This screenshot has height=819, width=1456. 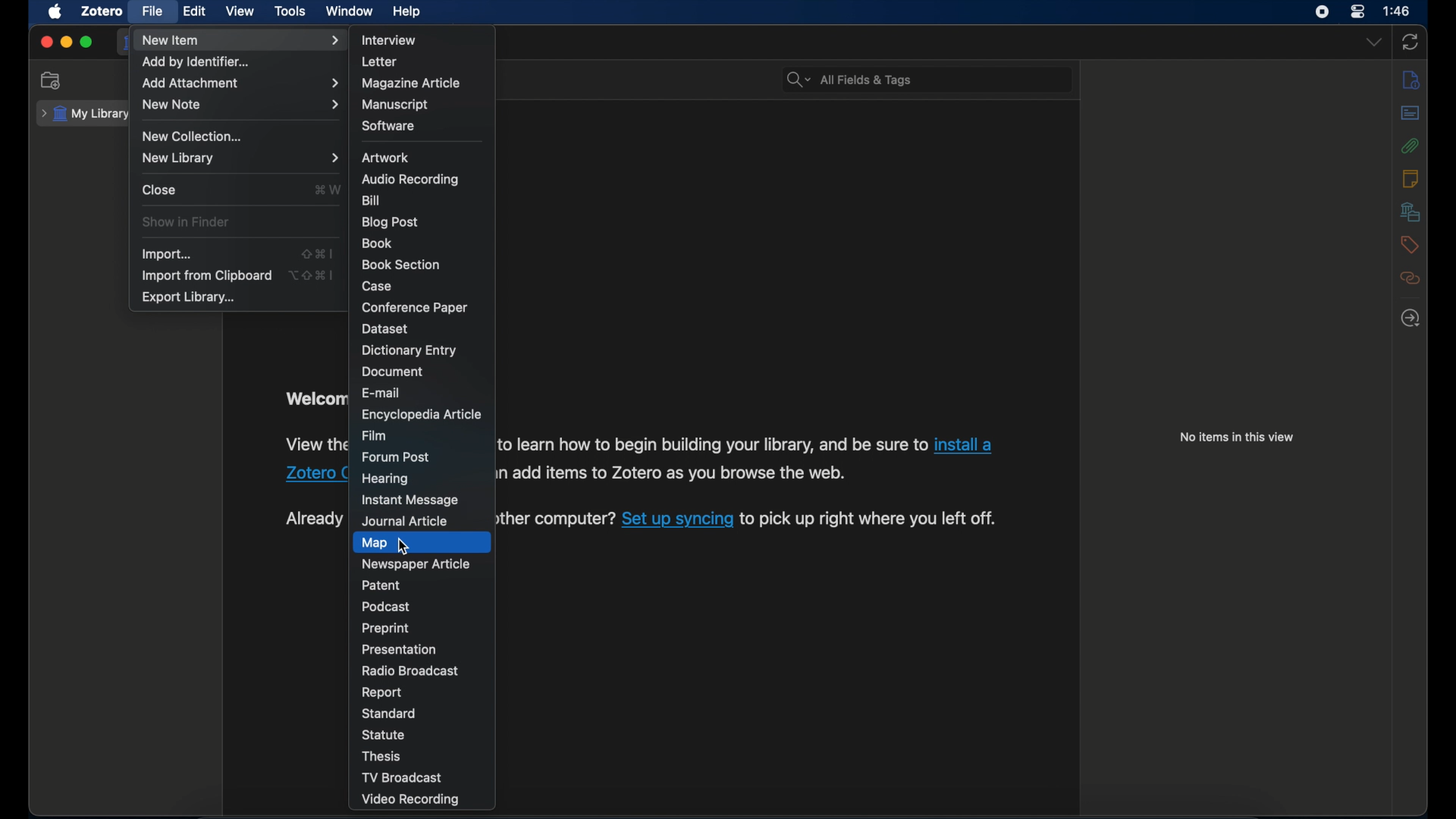 I want to click on cursor, so click(x=404, y=548).